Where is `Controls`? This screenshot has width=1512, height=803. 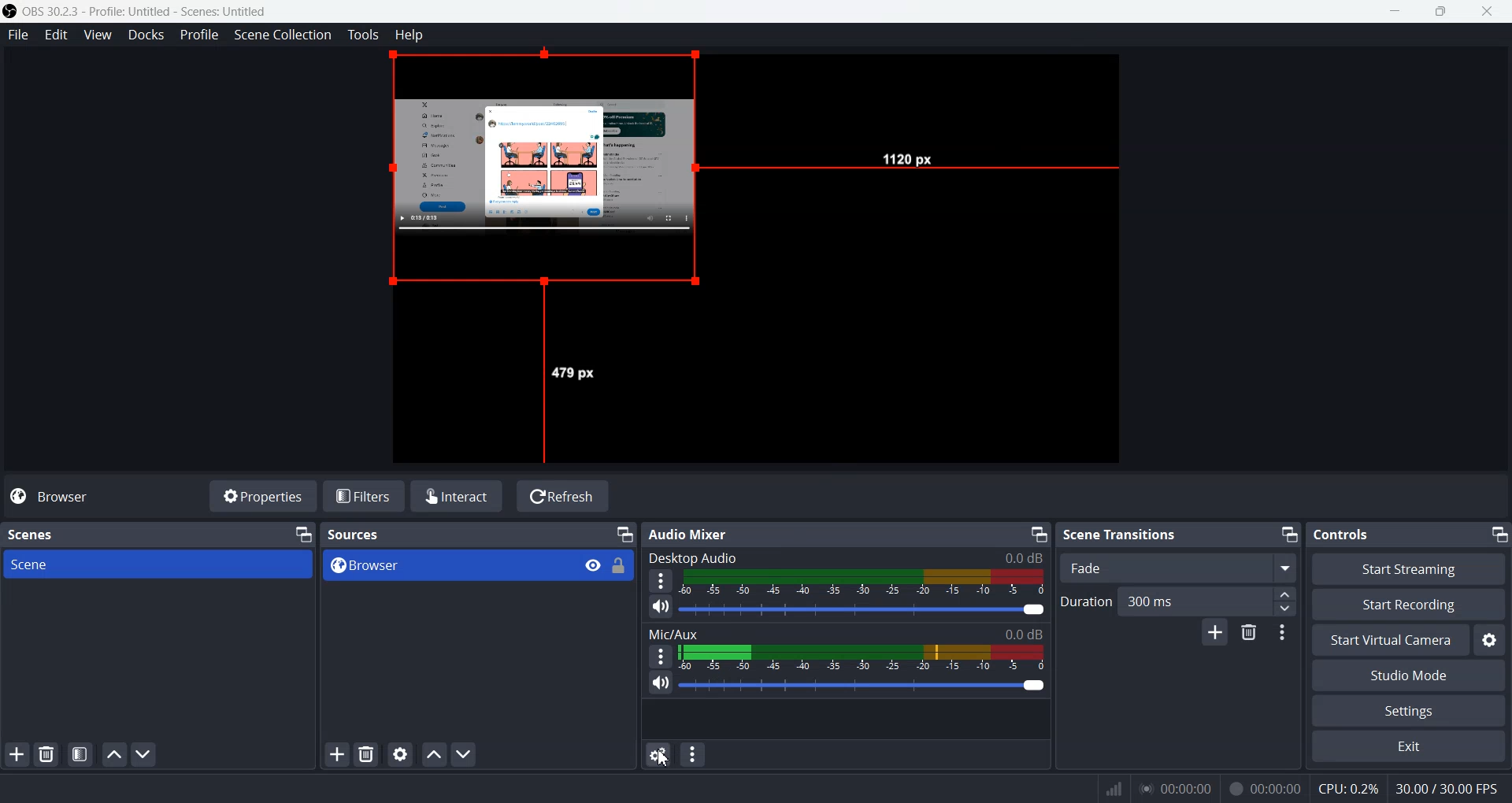
Controls is located at coordinates (1347, 533).